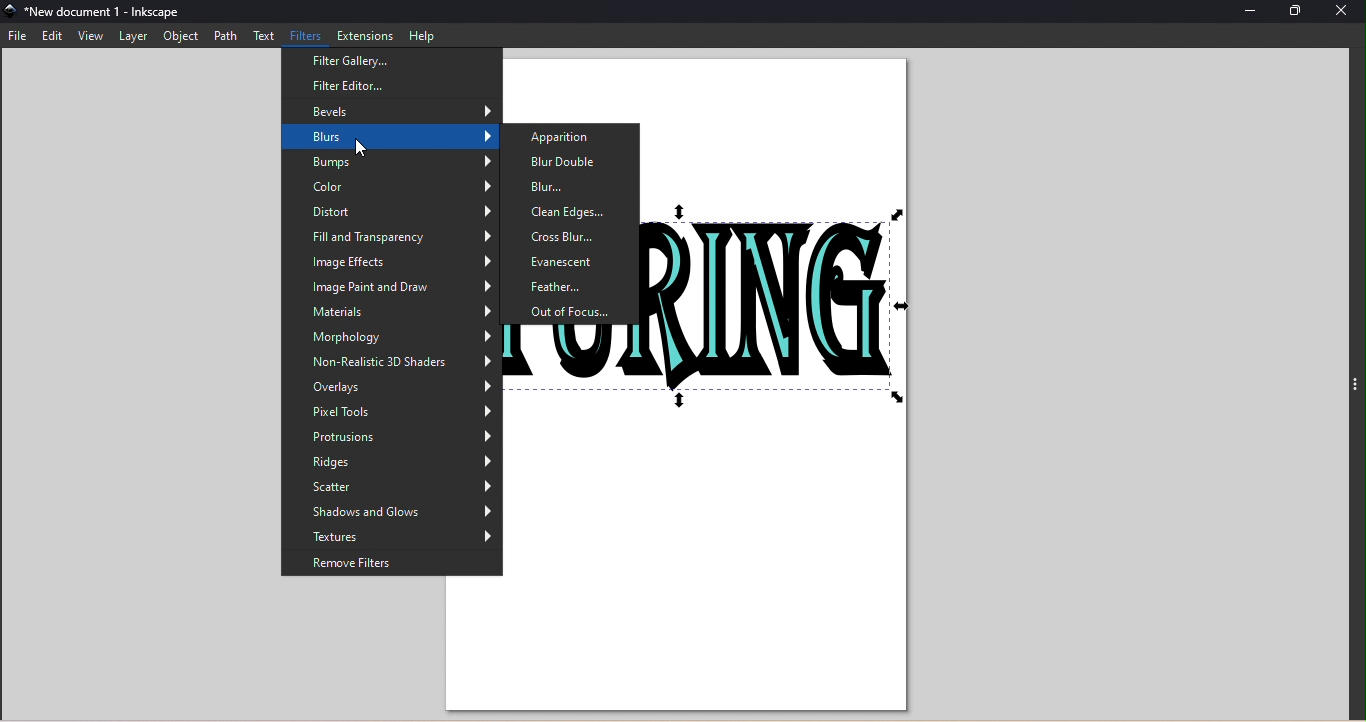 Image resolution: width=1366 pixels, height=722 pixels. What do you see at coordinates (19, 37) in the screenshot?
I see `File` at bounding box center [19, 37].